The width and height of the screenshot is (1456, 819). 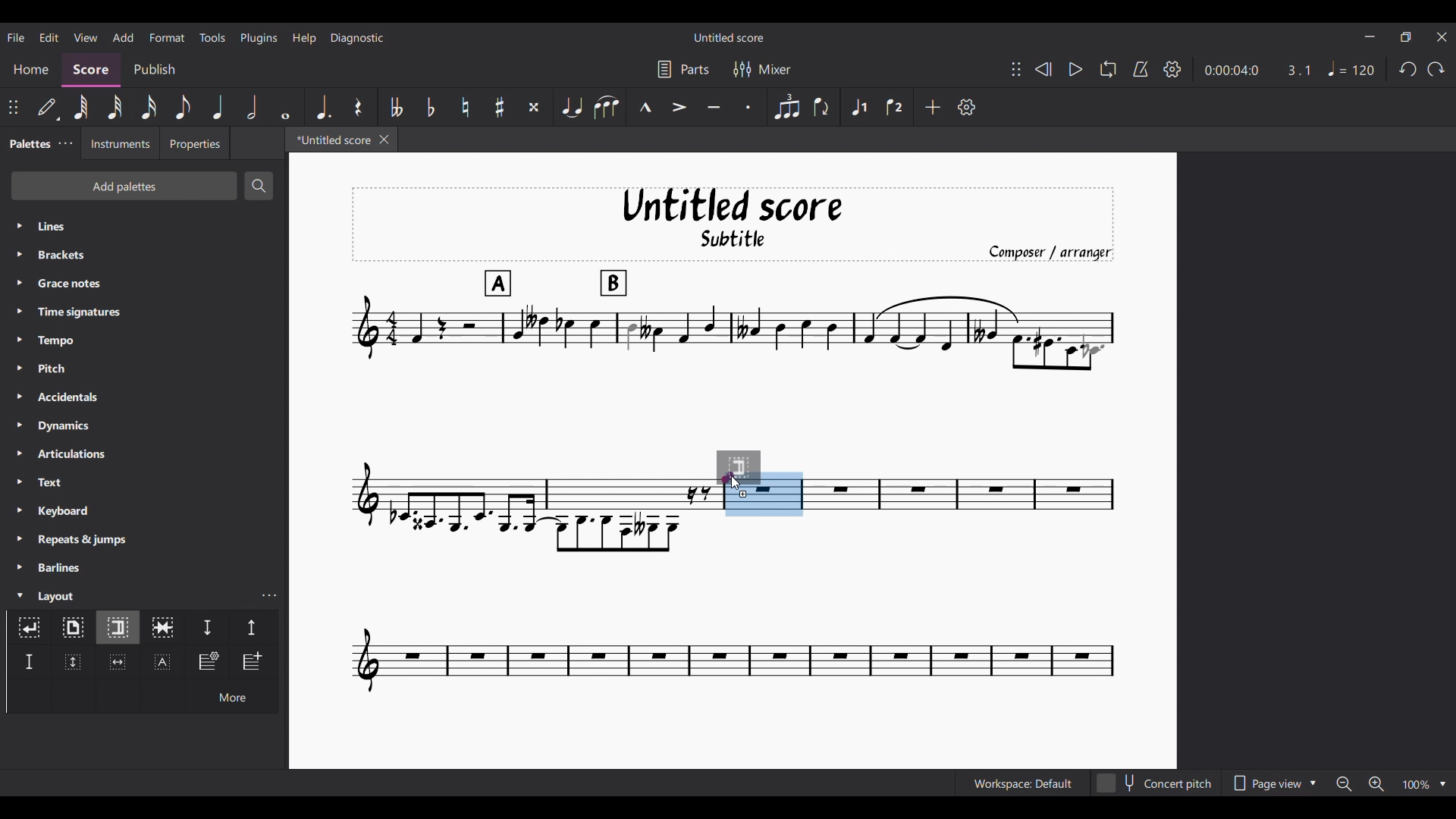 I want to click on Accent, so click(x=679, y=107).